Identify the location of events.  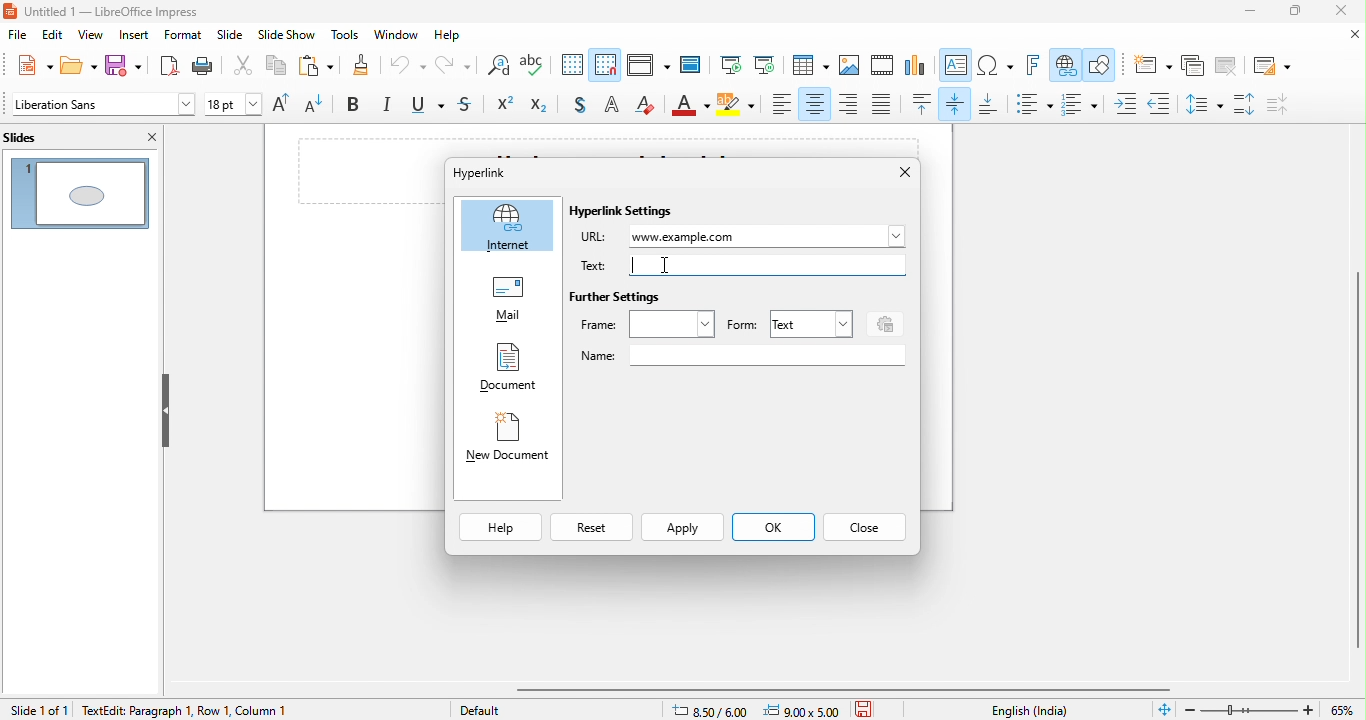
(882, 322).